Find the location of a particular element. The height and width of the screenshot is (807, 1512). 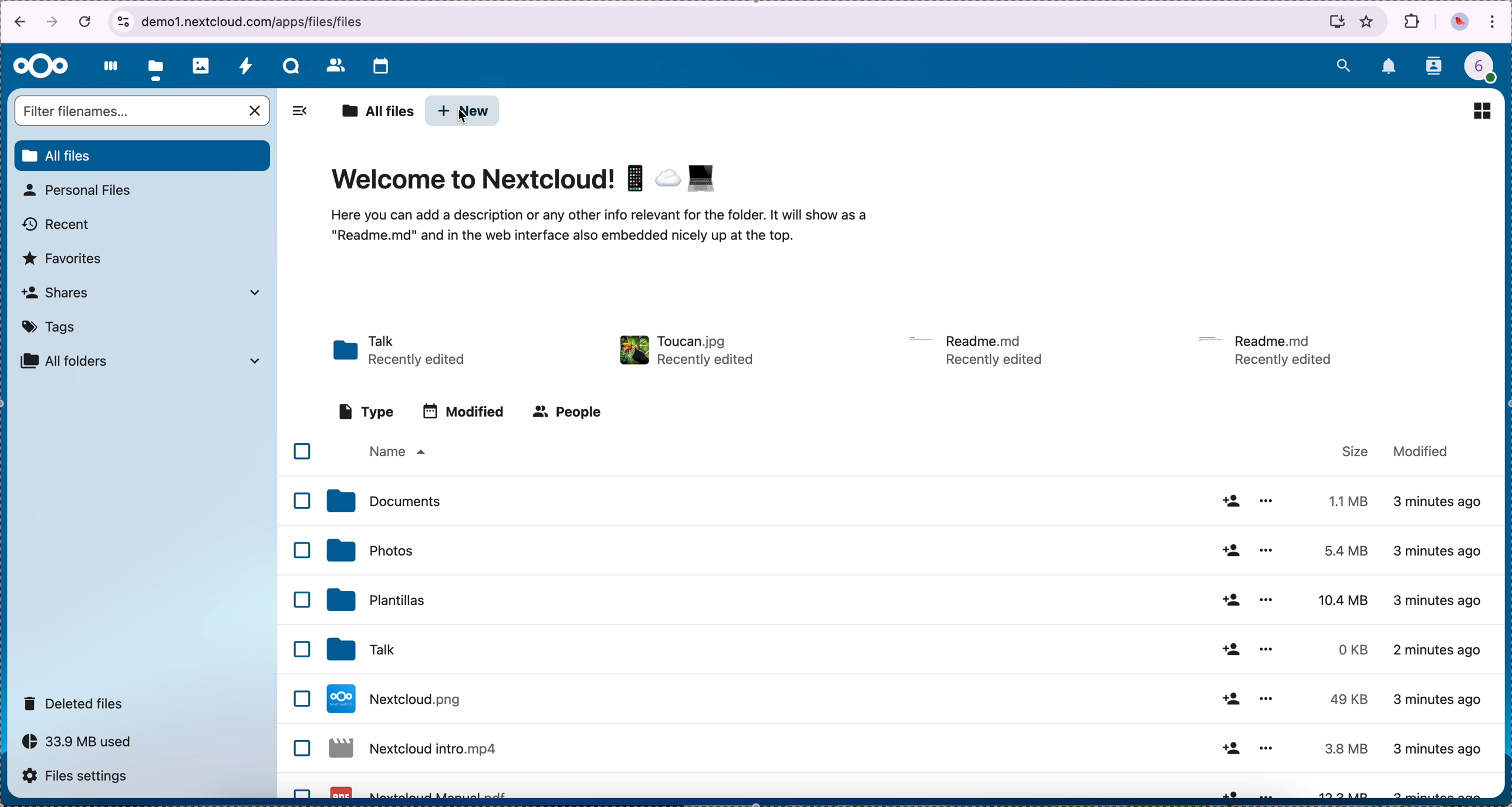

4 minutes ago is located at coordinates (1439, 748).